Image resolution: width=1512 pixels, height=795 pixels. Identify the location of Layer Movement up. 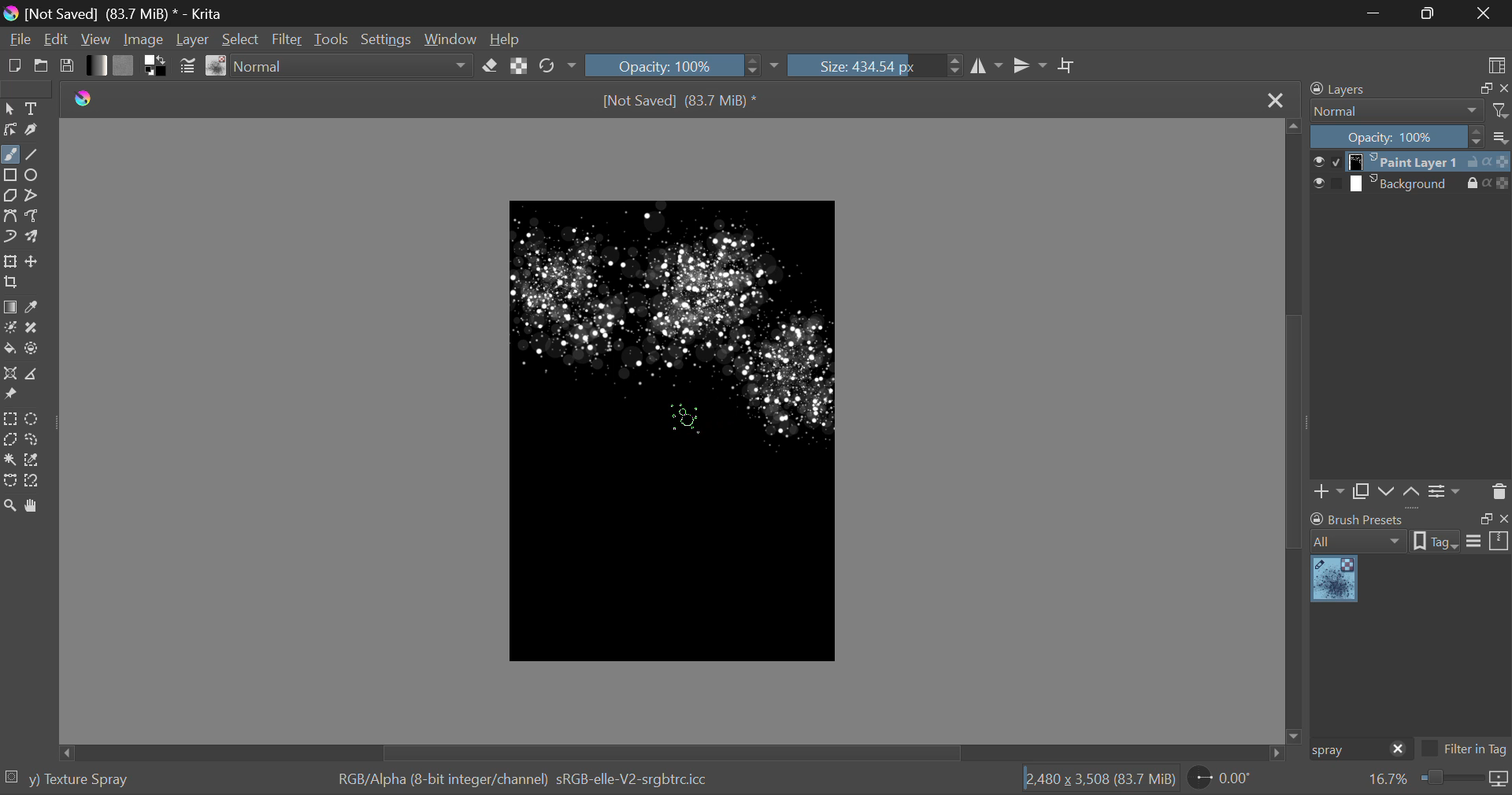
(1412, 494).